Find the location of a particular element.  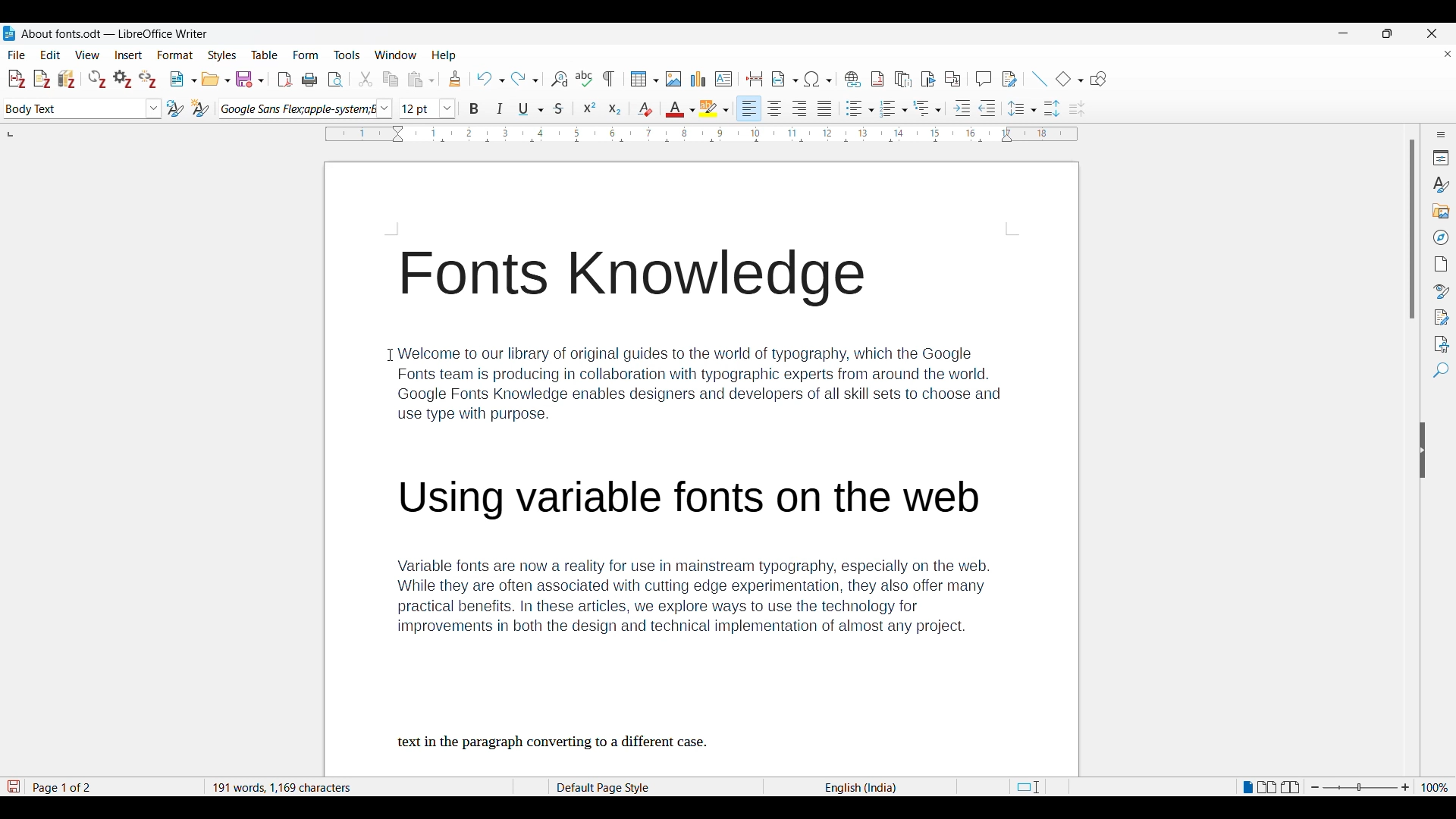

Format menu is located at coordinates (175, 55).